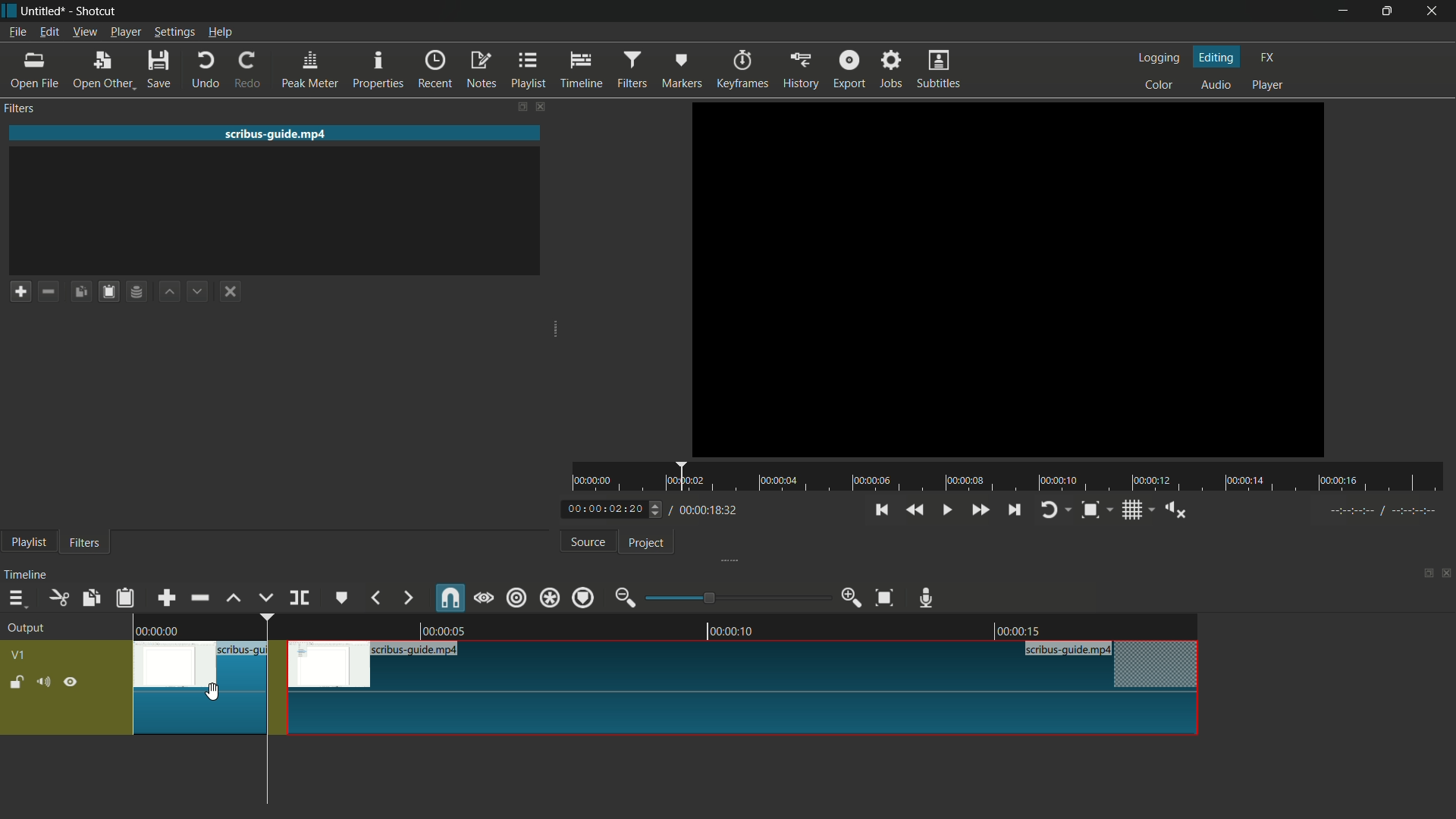 Image resolution: width=1456 pixels, height=819 pixels. I want to click on close app, so click(1436, 11).